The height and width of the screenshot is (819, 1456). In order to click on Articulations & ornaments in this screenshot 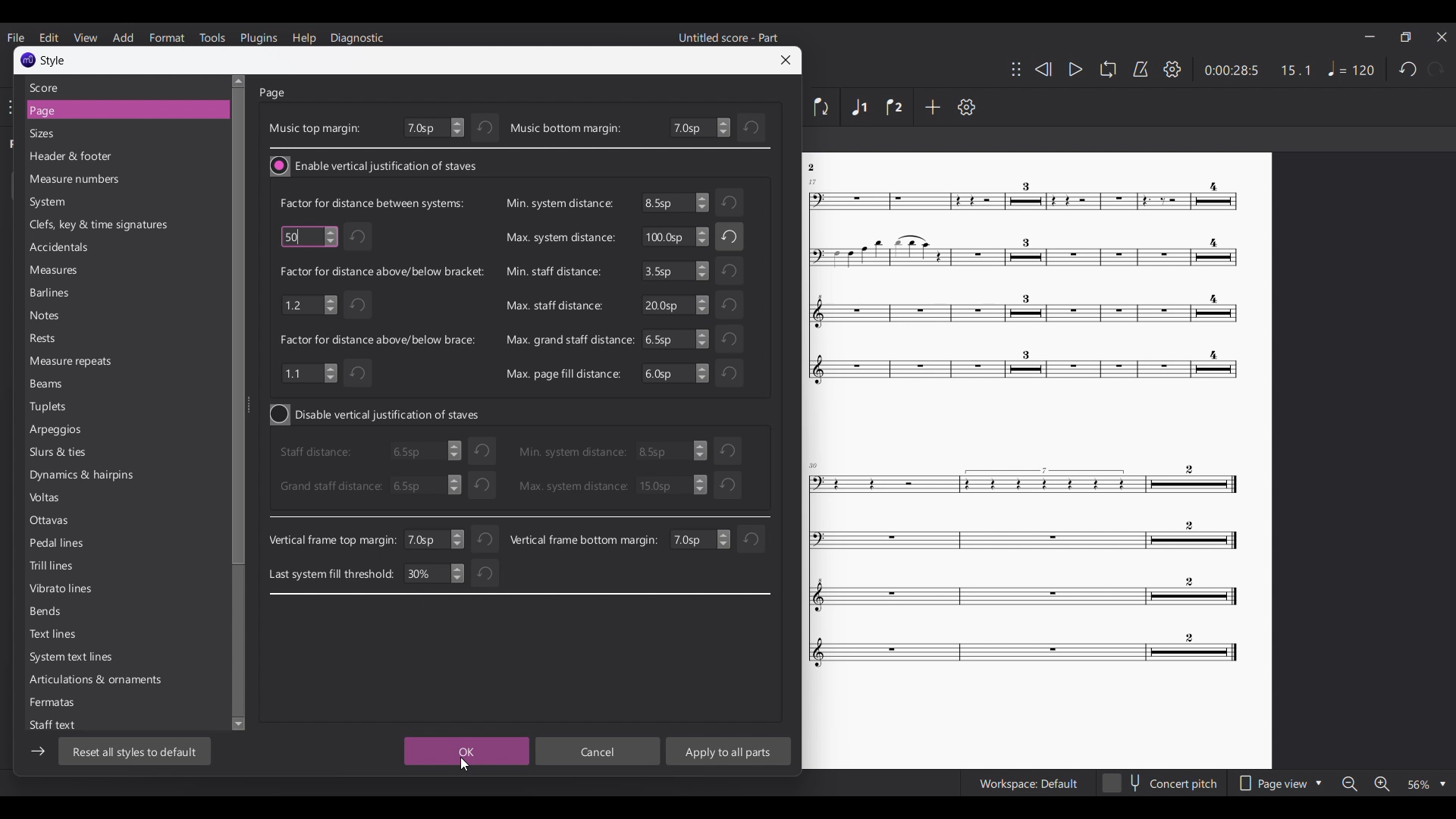, I will do `click(94, 681)`.